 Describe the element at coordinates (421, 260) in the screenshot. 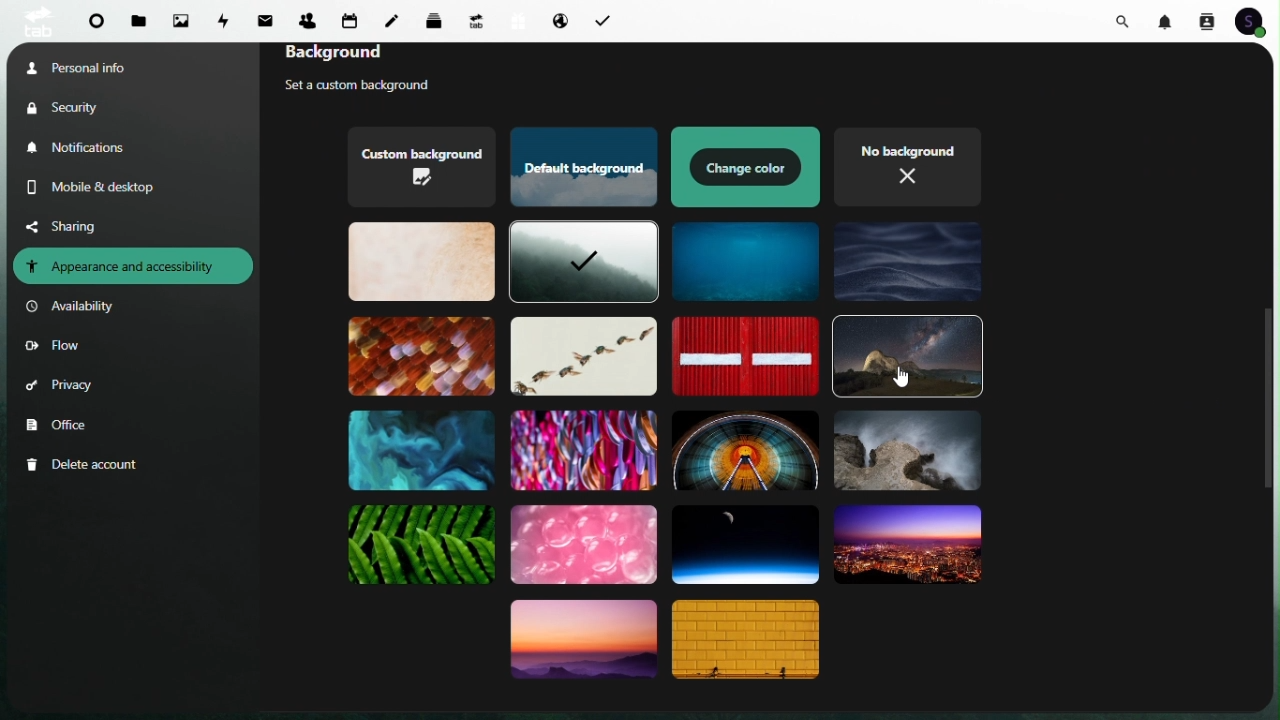

I see `Themes` at that location.